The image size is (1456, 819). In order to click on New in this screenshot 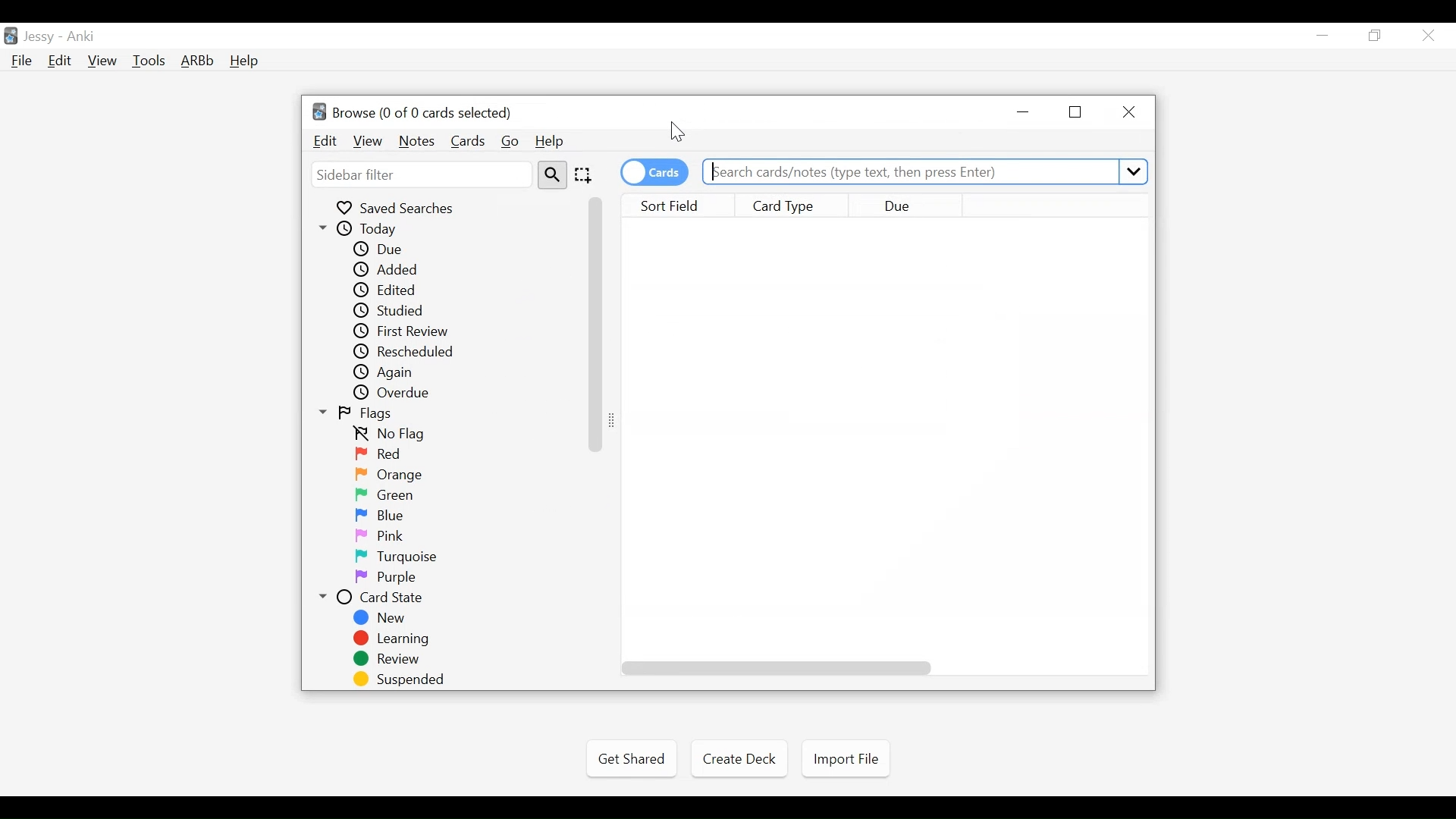, I will do `click(383, 620)`.